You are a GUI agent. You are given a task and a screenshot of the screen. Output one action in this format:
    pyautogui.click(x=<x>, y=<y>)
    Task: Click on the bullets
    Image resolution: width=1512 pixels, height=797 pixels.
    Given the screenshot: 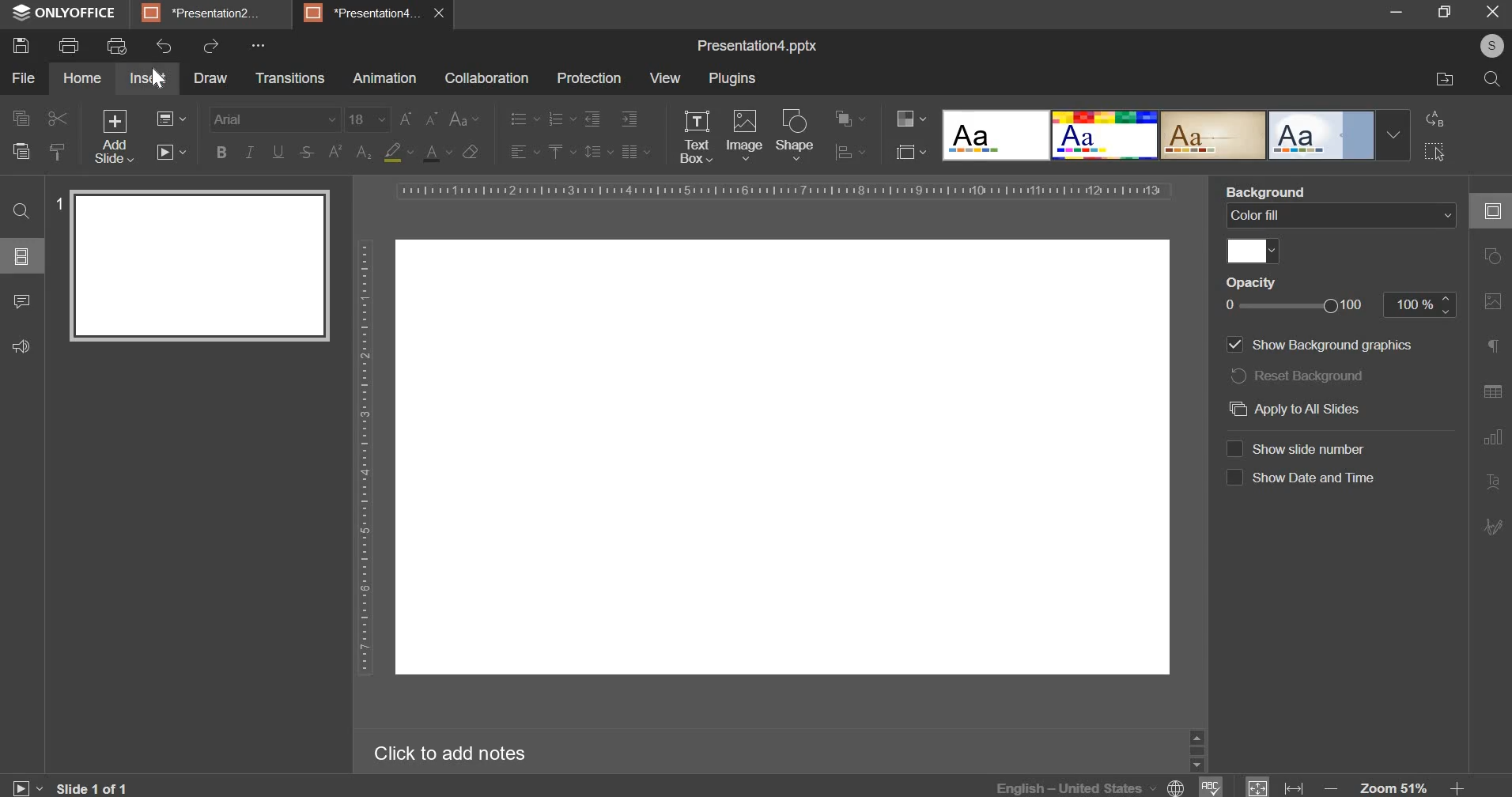 What is the action you would take?
    pyautogui.click(x=524, y=119)
    